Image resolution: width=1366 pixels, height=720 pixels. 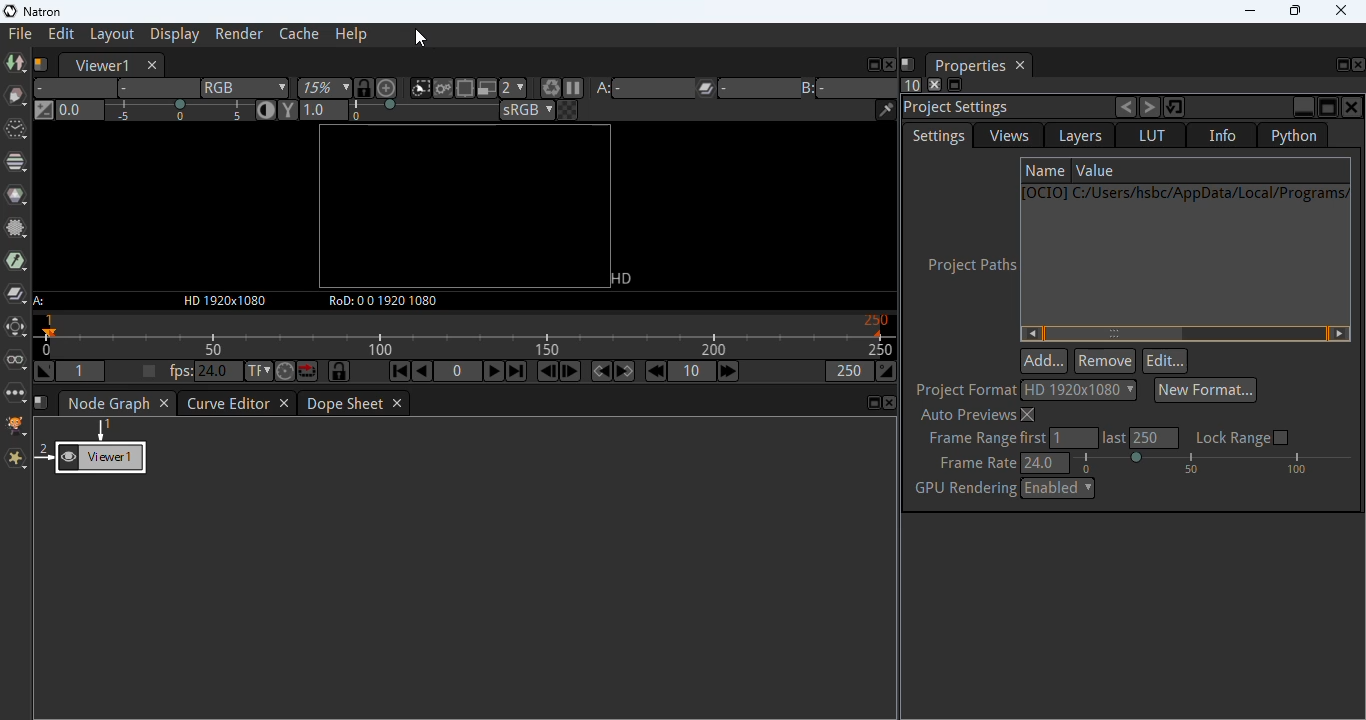 What do you see at coordinates (75, 88) in the screenshot?
I see `layer` at bounding box center [75, 88].